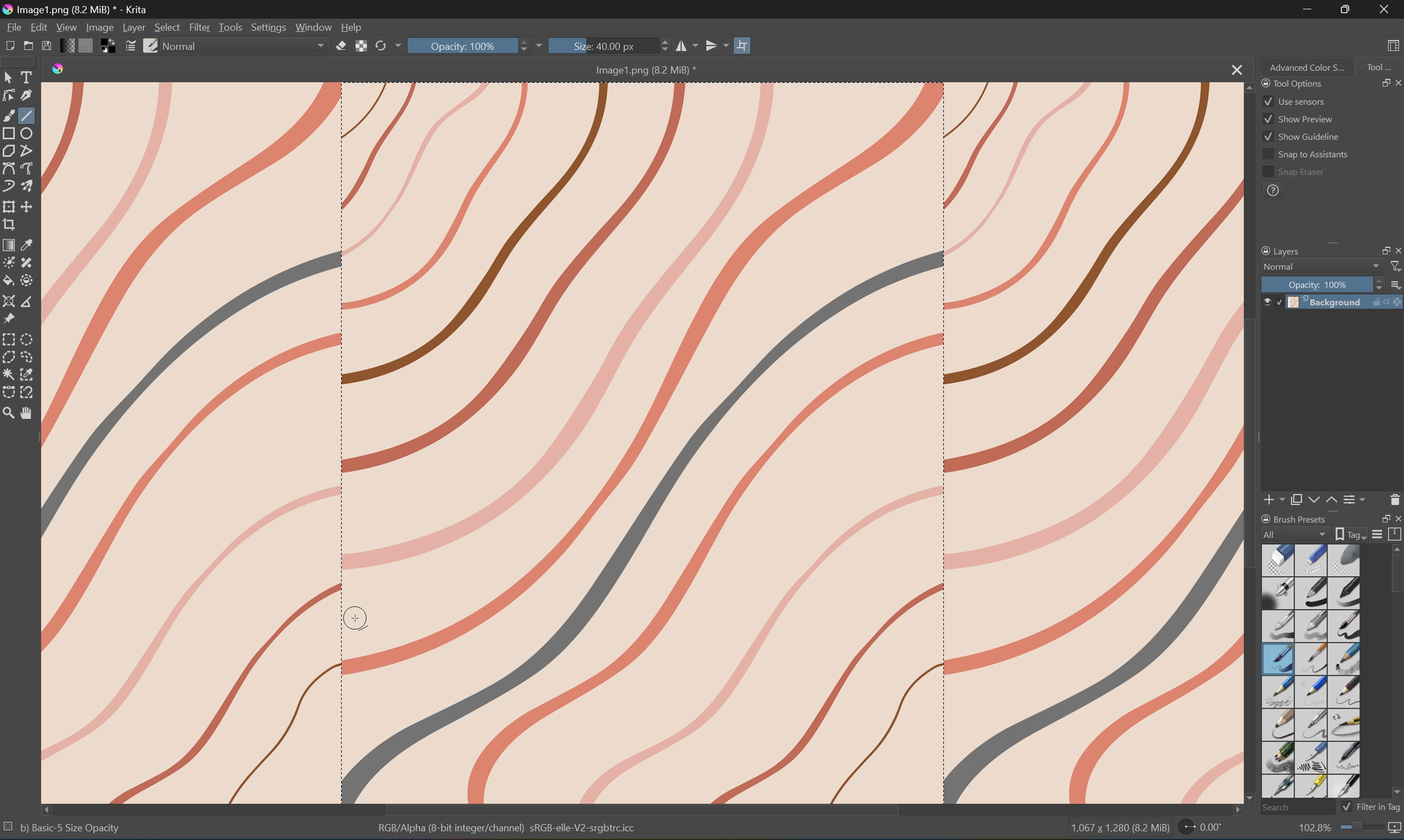  What do you see at coordinates (1356, 498) in the screenshot?
I see `View or change the layer properties` at bounding box center [1356, 498].